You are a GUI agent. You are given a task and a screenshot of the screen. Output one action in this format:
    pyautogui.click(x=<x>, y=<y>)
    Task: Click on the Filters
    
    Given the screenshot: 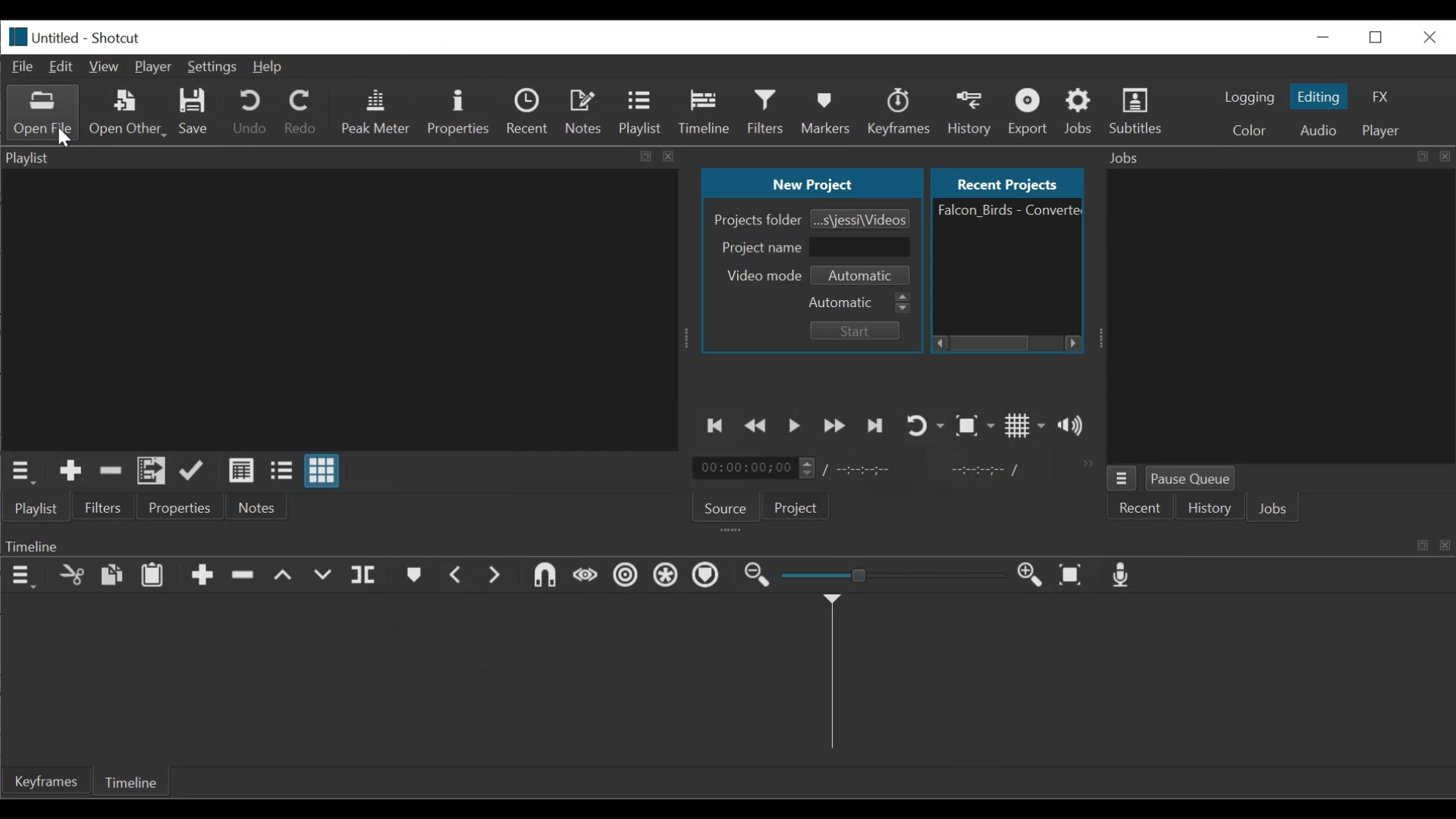 What is the action you would take?
    pyautogui.click(x=767, y=111)
    